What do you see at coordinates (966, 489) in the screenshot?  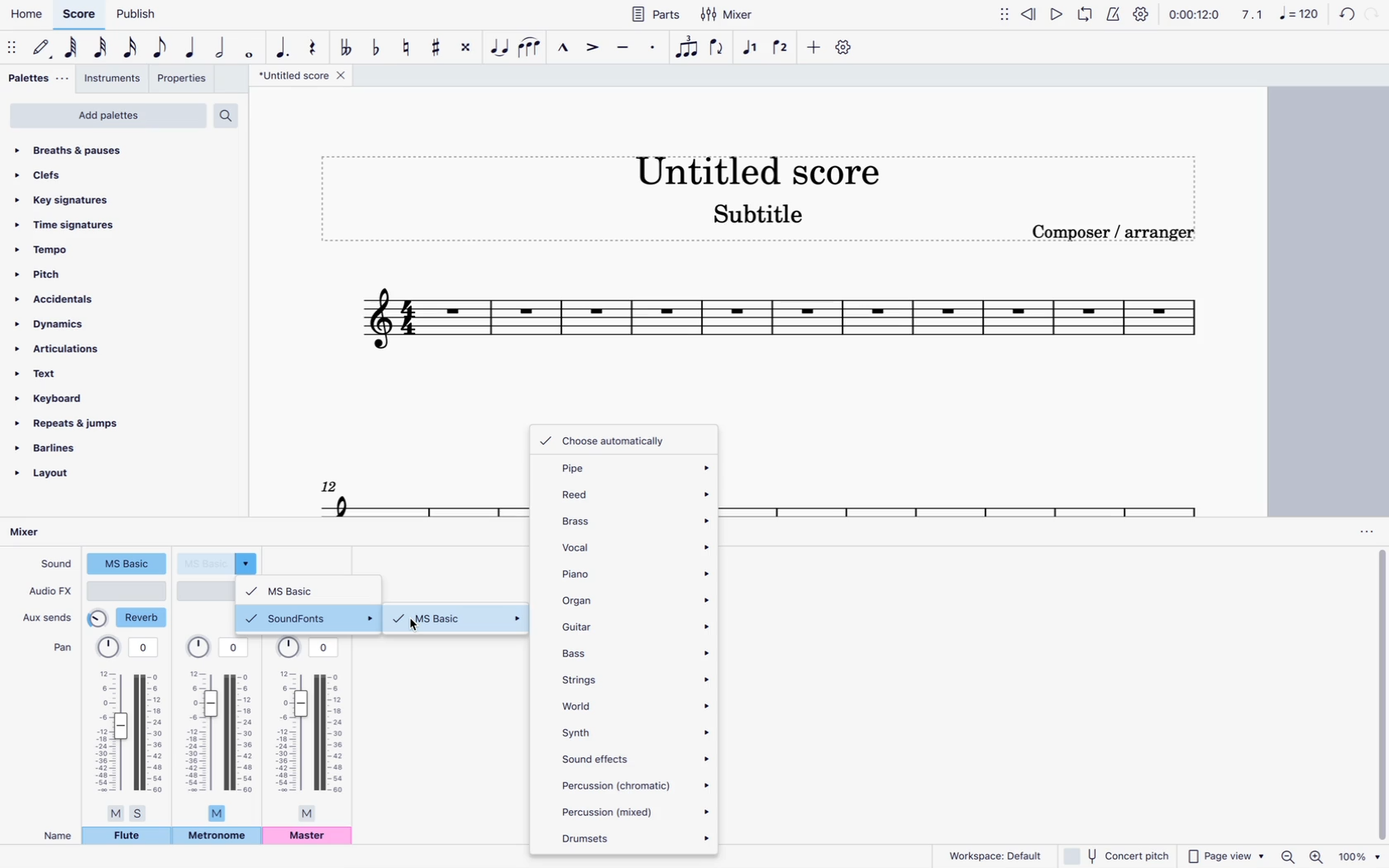 I see `score` at bounding box center [966, 489].